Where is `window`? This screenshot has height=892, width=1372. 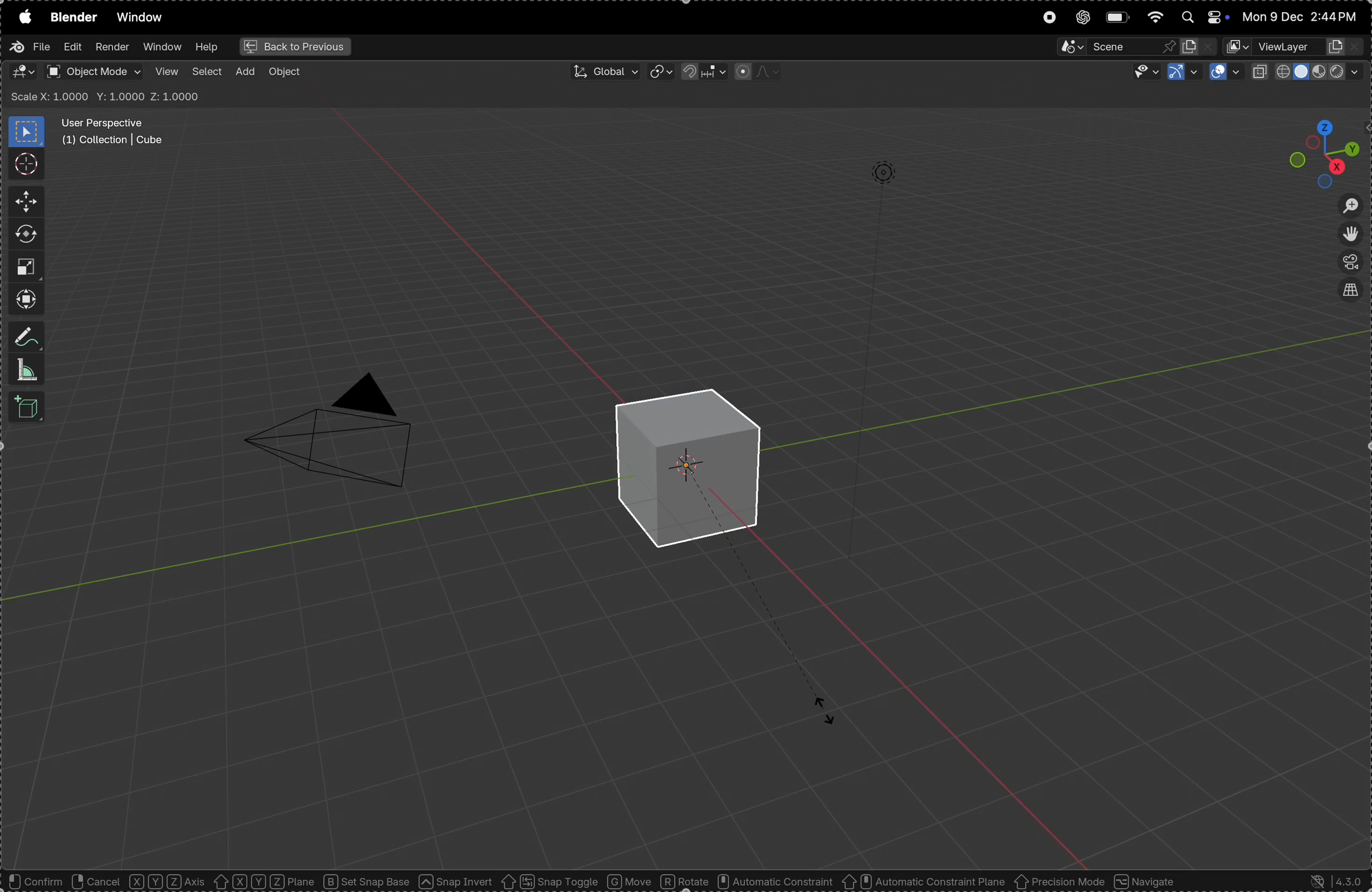
window is located at coordinates (140, 17).